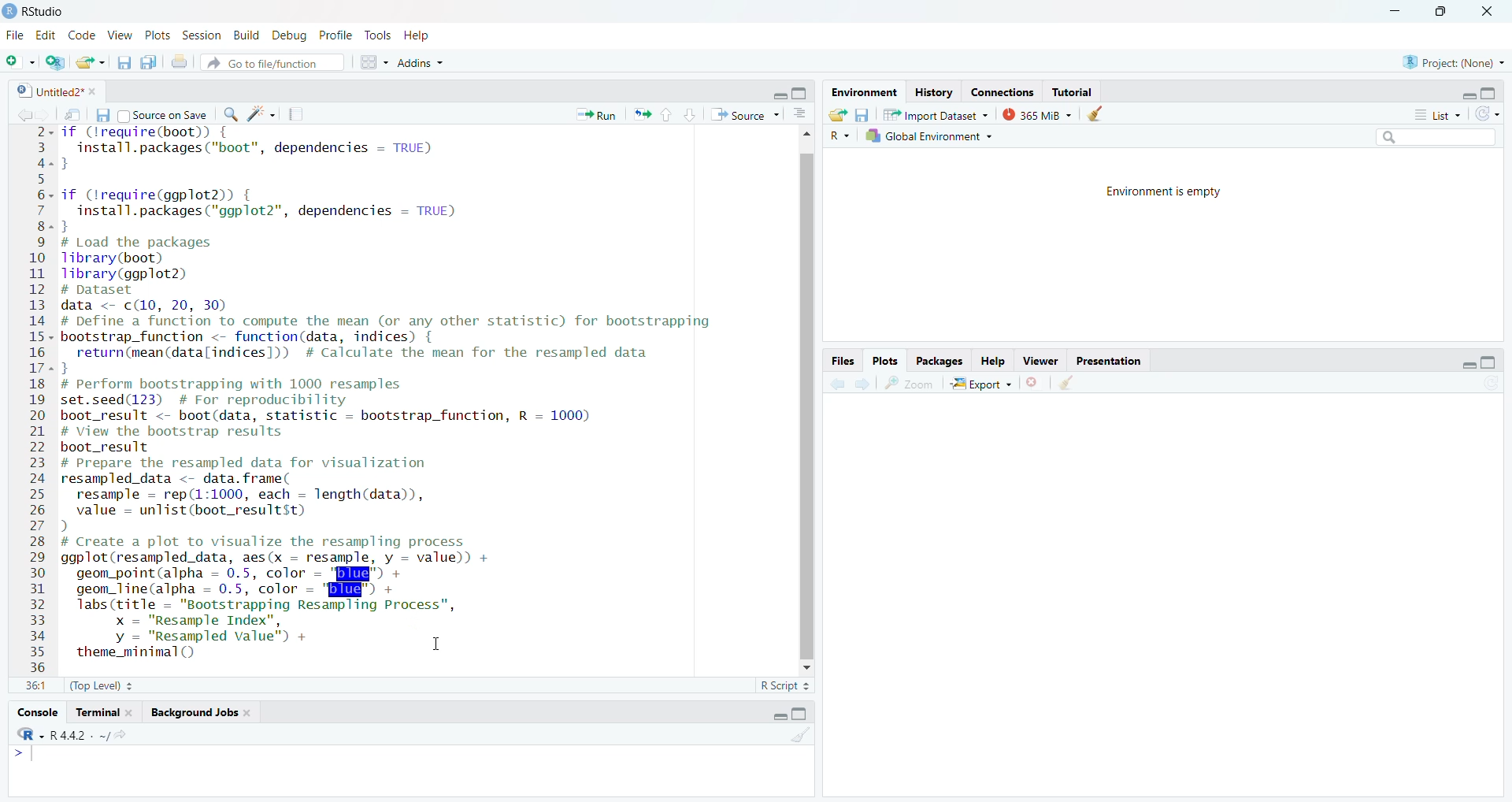  I want to click on 1h Global Environment +, so click(928, 138).